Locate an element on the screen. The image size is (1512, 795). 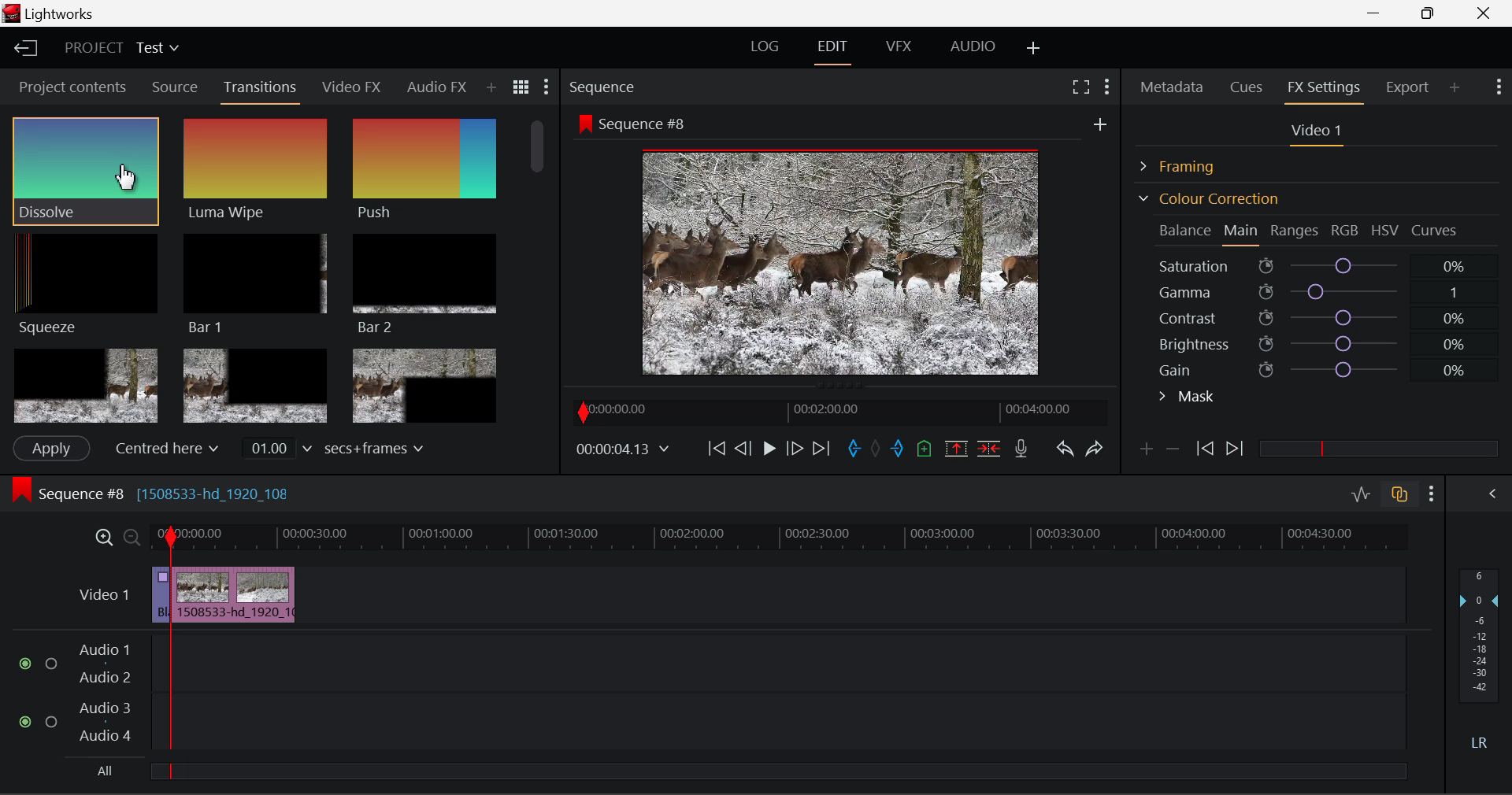
Show Settings is located at coordinates (1106, 84).